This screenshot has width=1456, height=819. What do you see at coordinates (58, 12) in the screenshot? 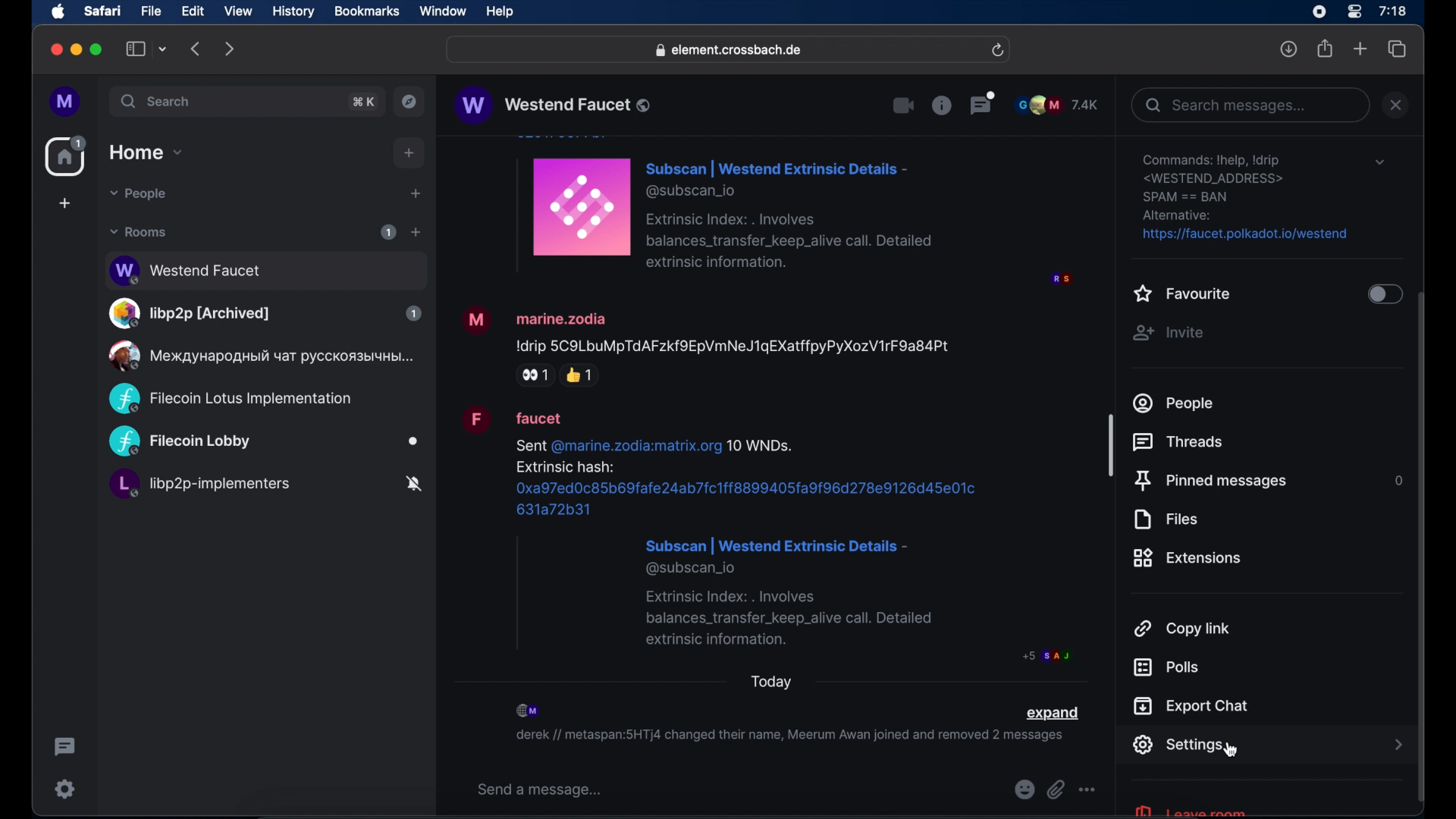
I see `apple icon` at bounding box center [58, 12].